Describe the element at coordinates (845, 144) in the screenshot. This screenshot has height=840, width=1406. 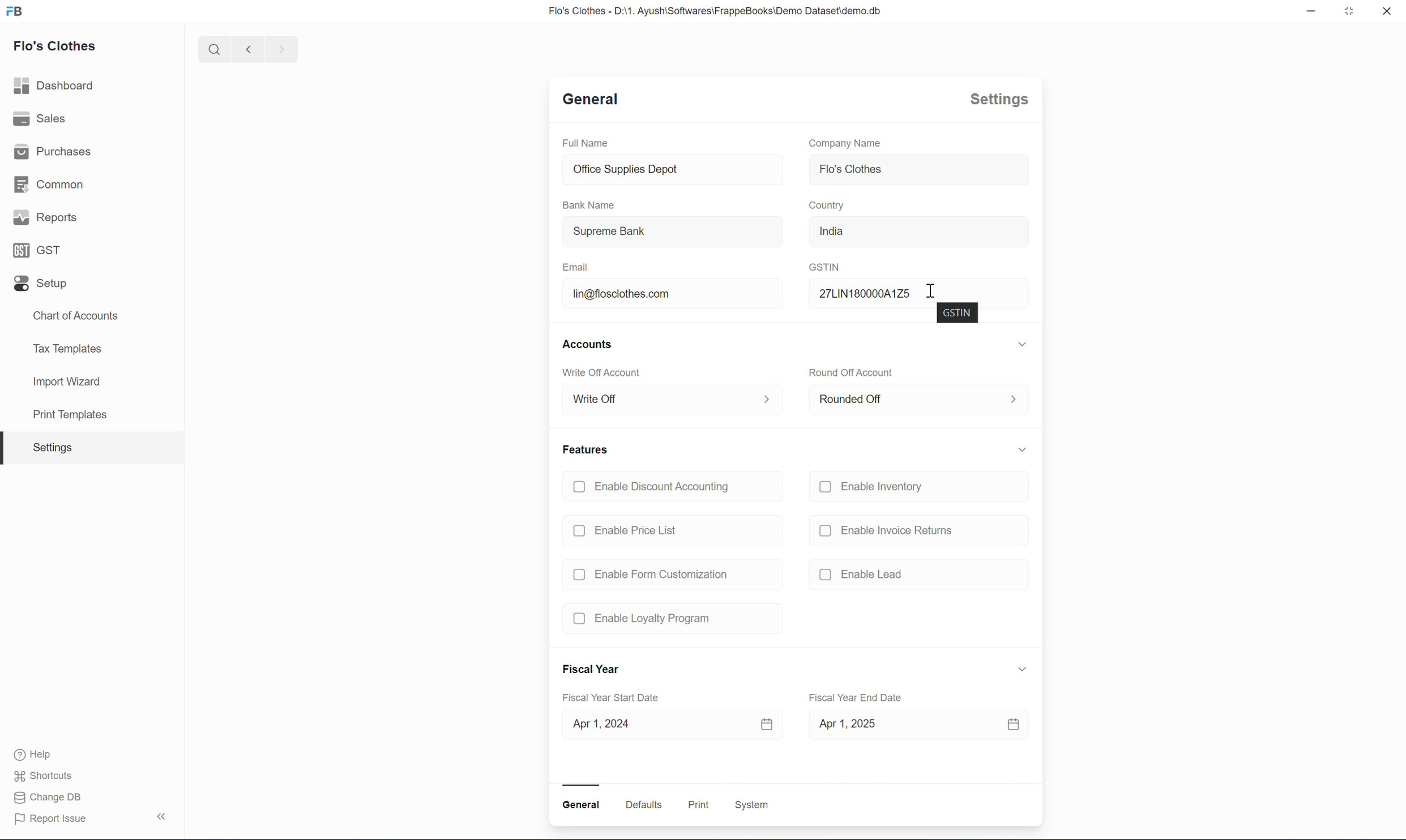
I see `Company Name` at that location.